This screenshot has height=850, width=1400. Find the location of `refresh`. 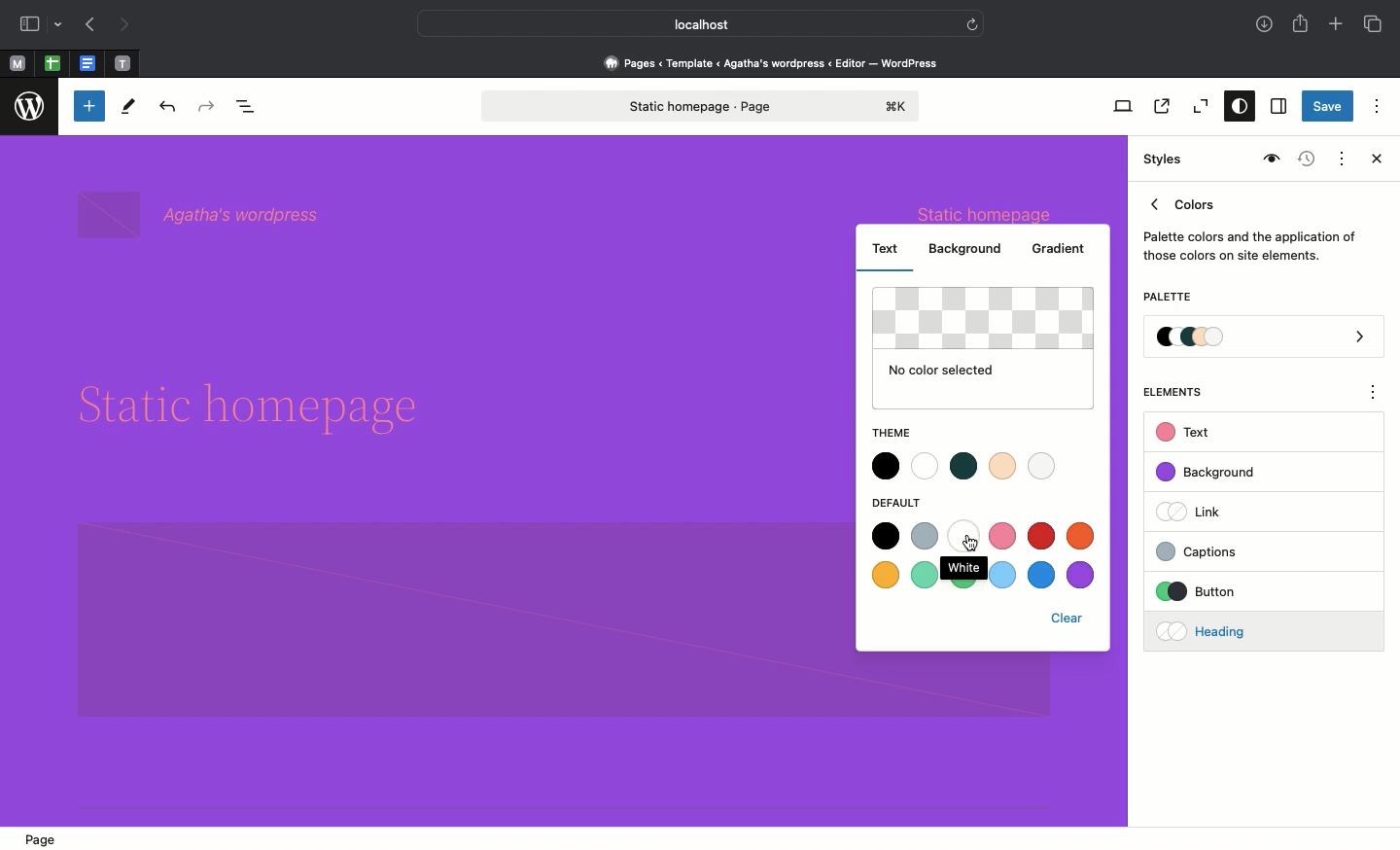

refresh is located at coordinates (972, 22).